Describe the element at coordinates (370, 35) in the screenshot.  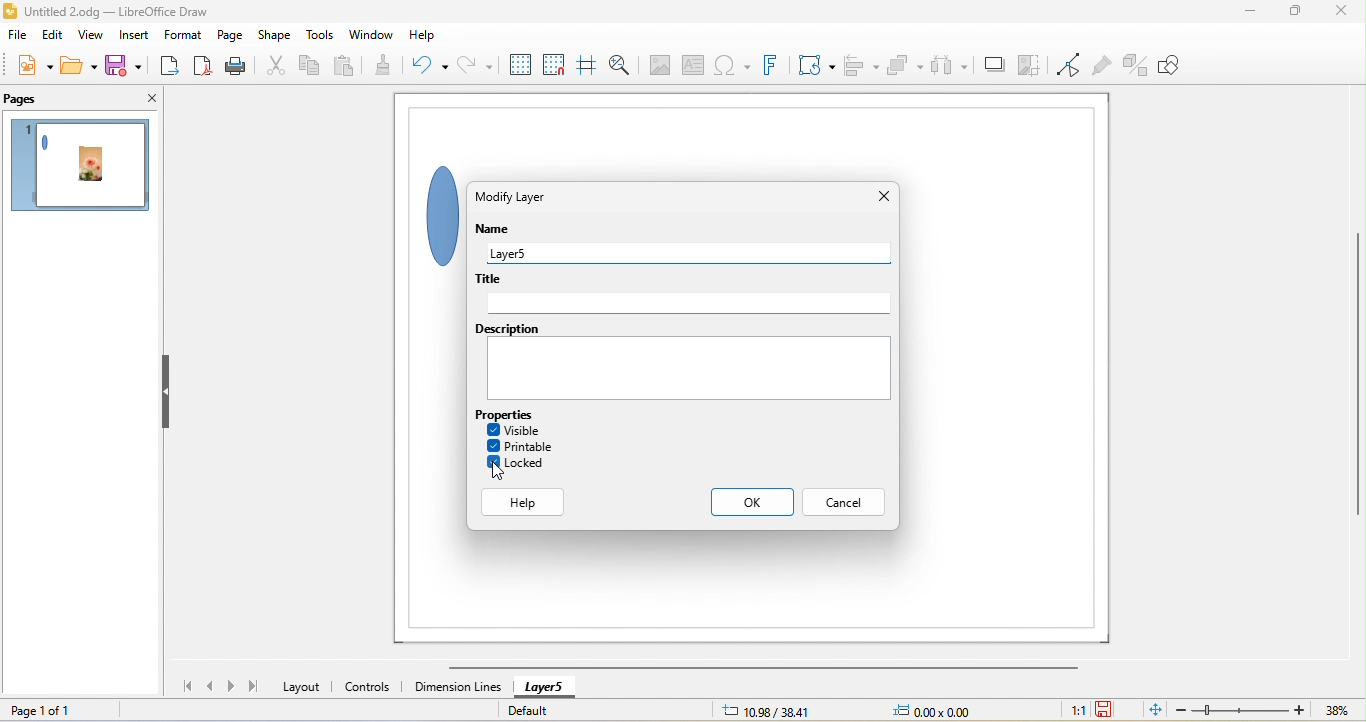
I see `window` at that location.